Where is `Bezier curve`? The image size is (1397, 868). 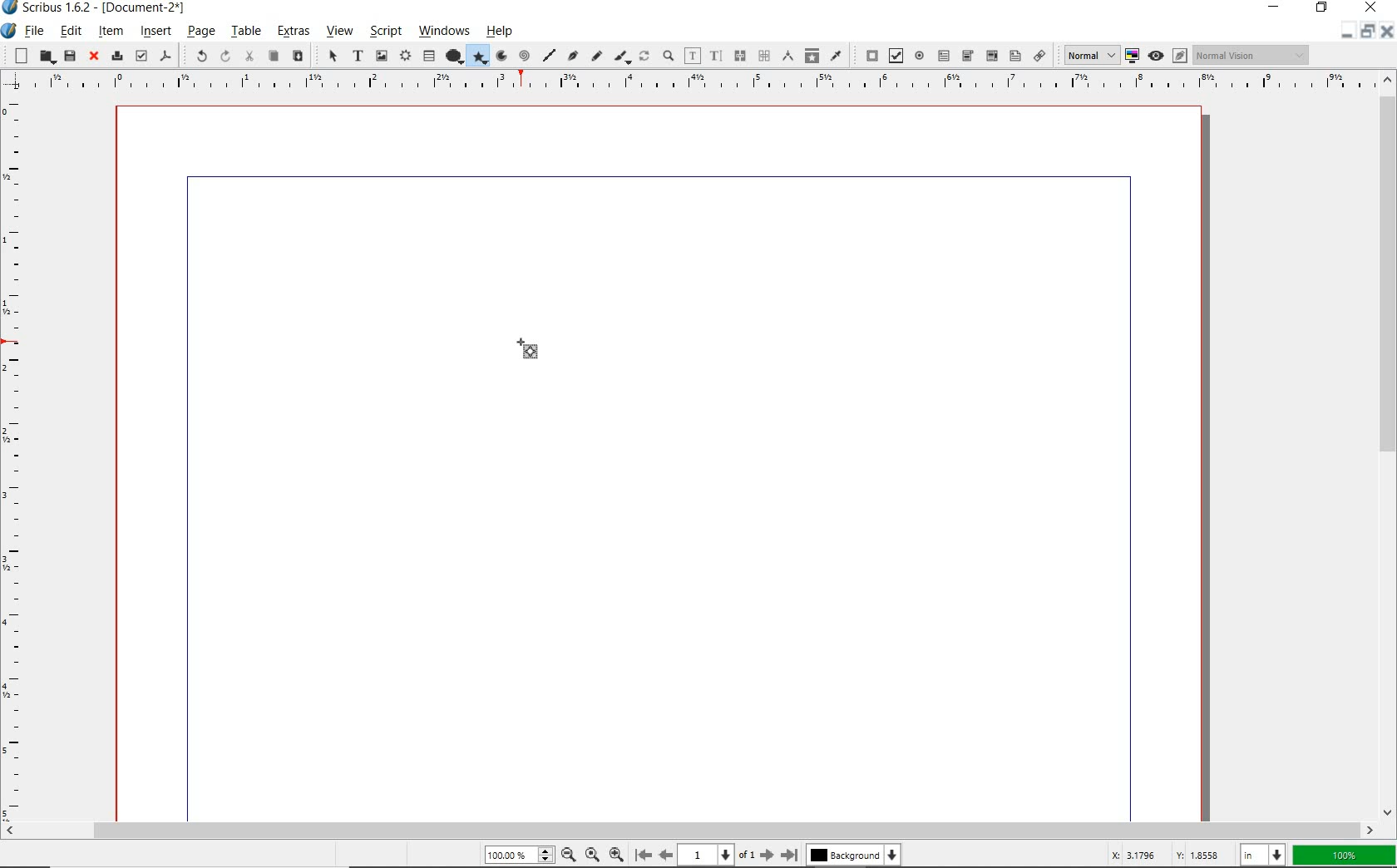 Bezier curve is located at coordinates (570, 56).